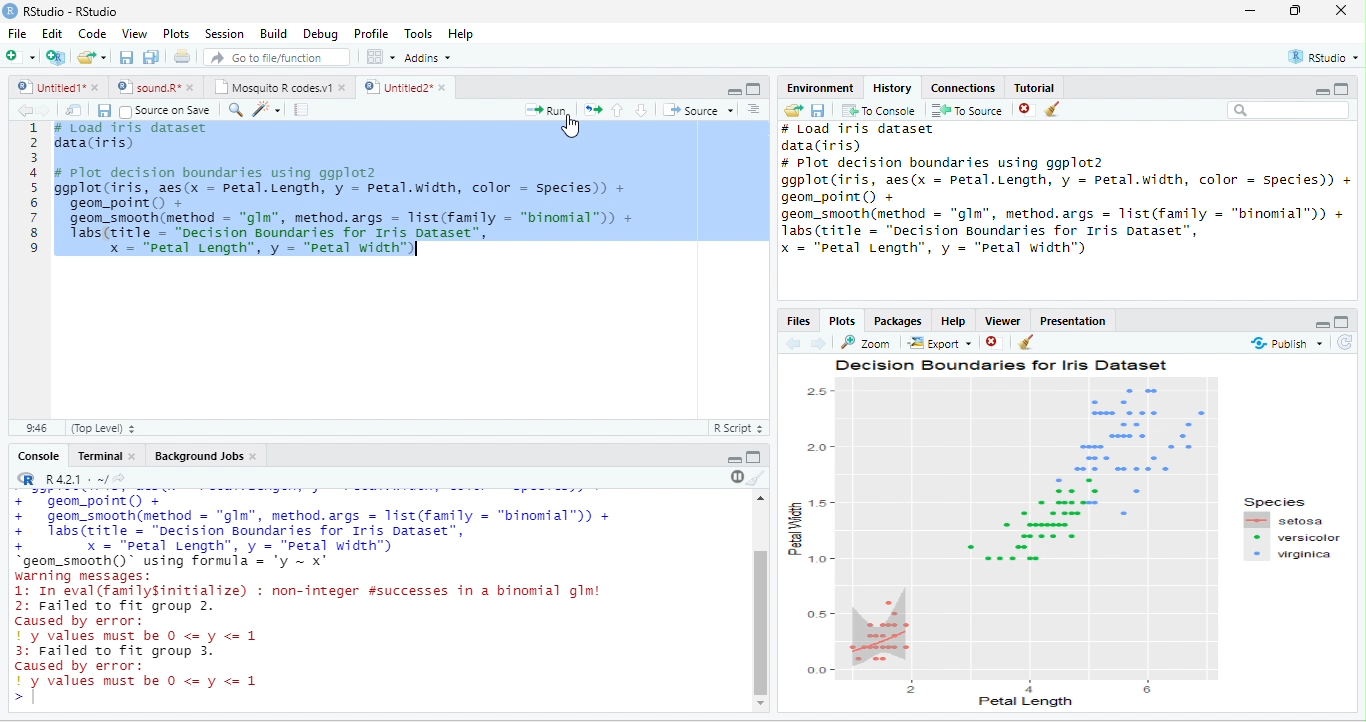 Image resolution: width=1366 pixels, height=722 pixels. Describe the element at coordinates (150, 57) in the screenshot. I see `save all` at that location.